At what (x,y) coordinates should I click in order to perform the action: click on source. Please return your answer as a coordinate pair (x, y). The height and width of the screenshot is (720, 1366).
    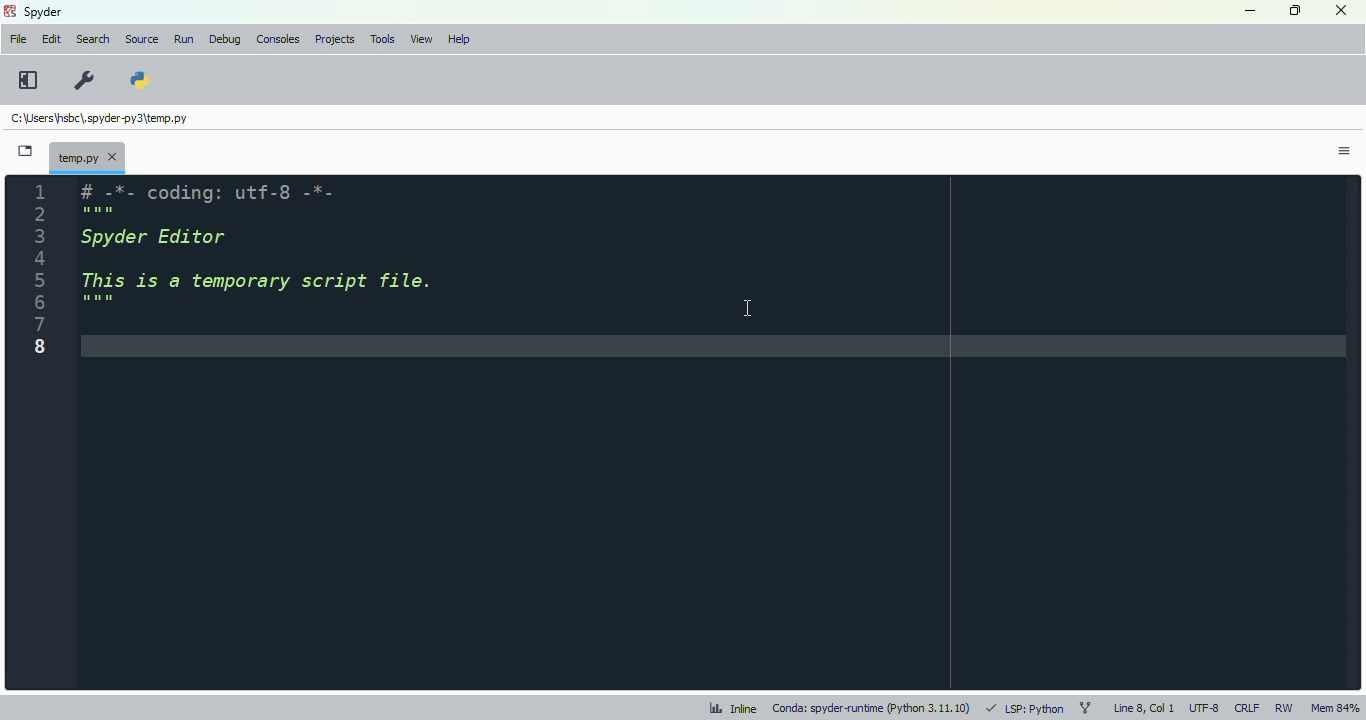
    Looking at the image, I should click on (142, 39).